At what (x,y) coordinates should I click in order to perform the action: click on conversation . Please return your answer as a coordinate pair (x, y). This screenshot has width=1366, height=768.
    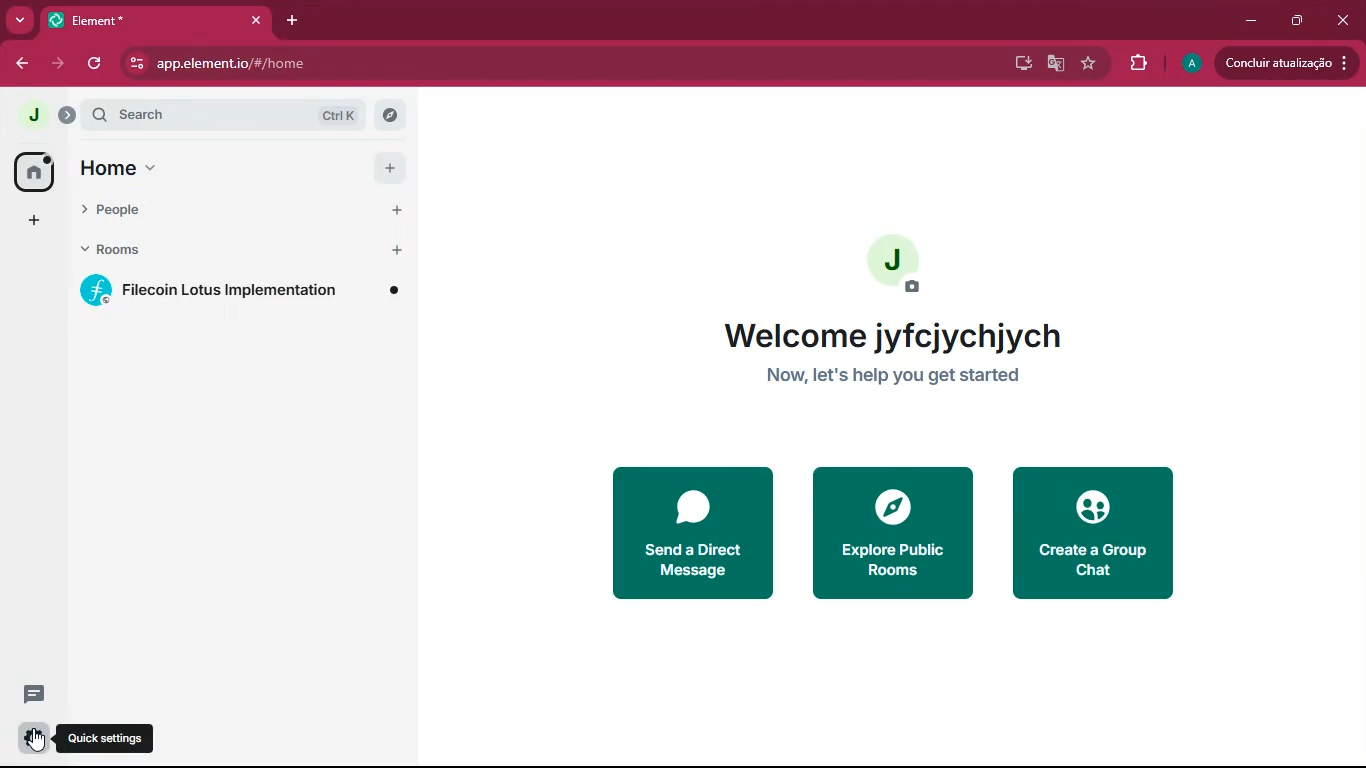
    Looking at the image, I should click on (32, 694).